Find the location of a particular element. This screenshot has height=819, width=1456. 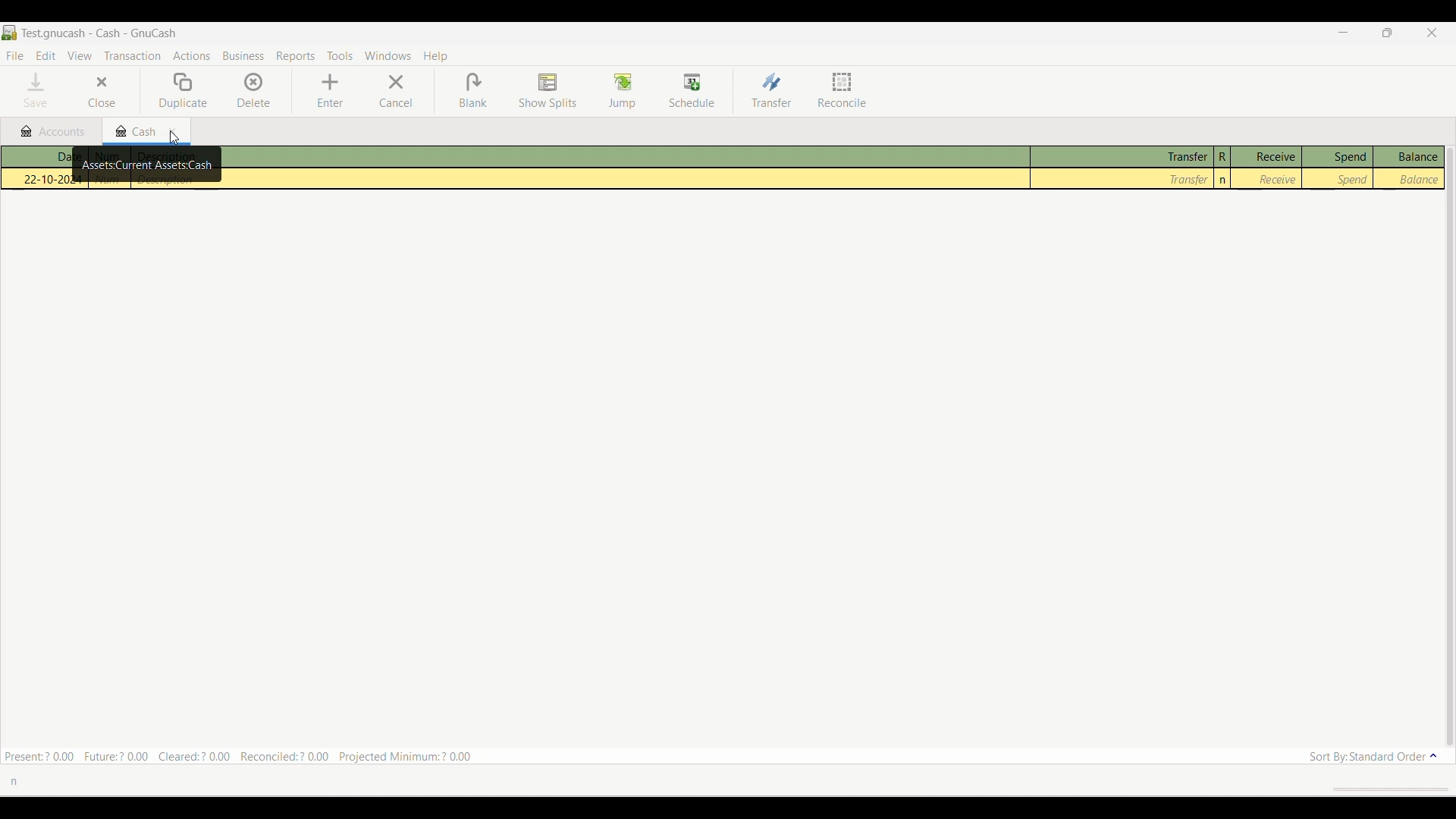

Name of current tab is located at coordinates (101, 33).